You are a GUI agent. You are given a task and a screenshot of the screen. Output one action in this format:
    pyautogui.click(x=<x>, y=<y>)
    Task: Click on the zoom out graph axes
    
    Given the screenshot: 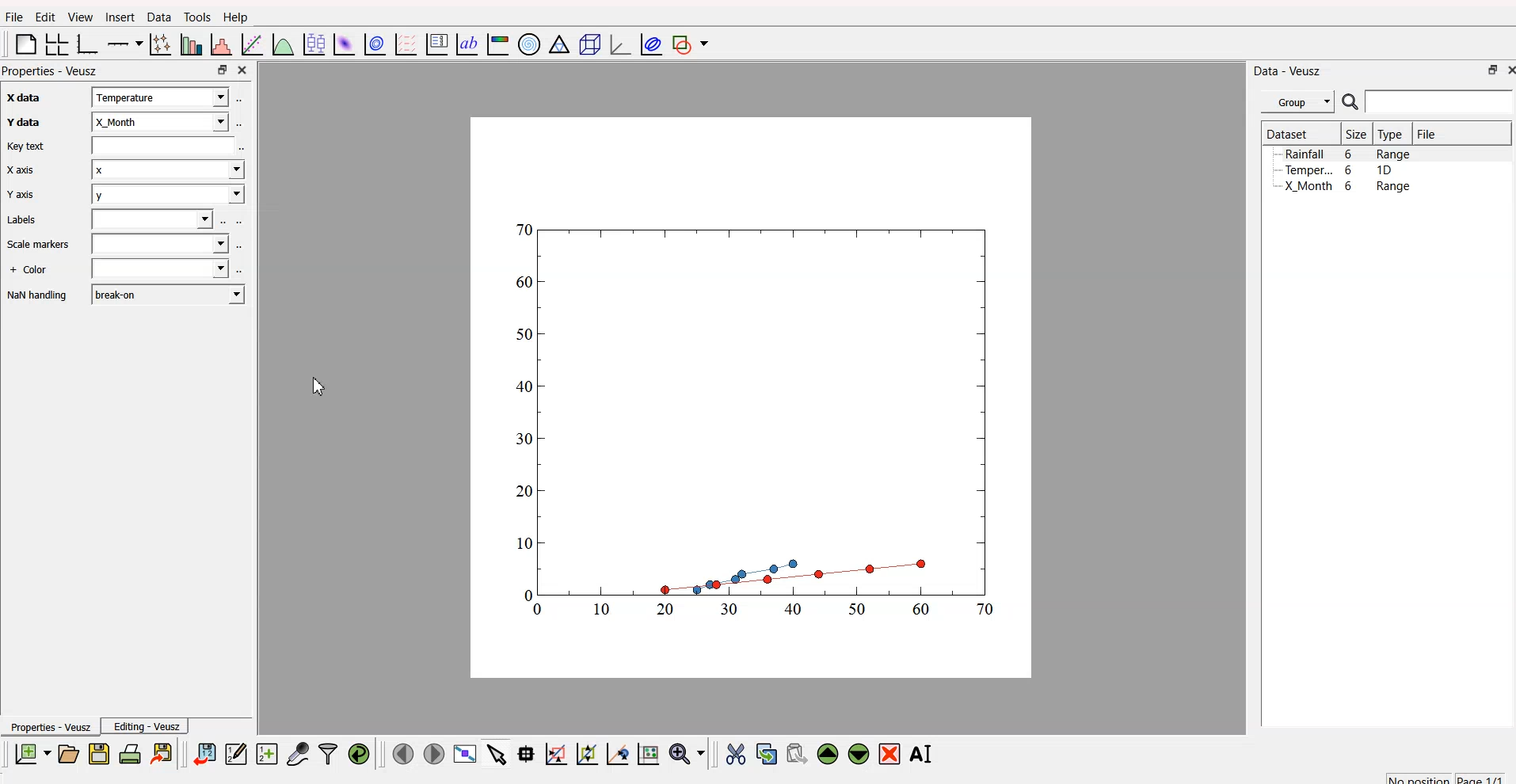 What is the action you would take?
    pyautogui.click(x=616, y=754)
    